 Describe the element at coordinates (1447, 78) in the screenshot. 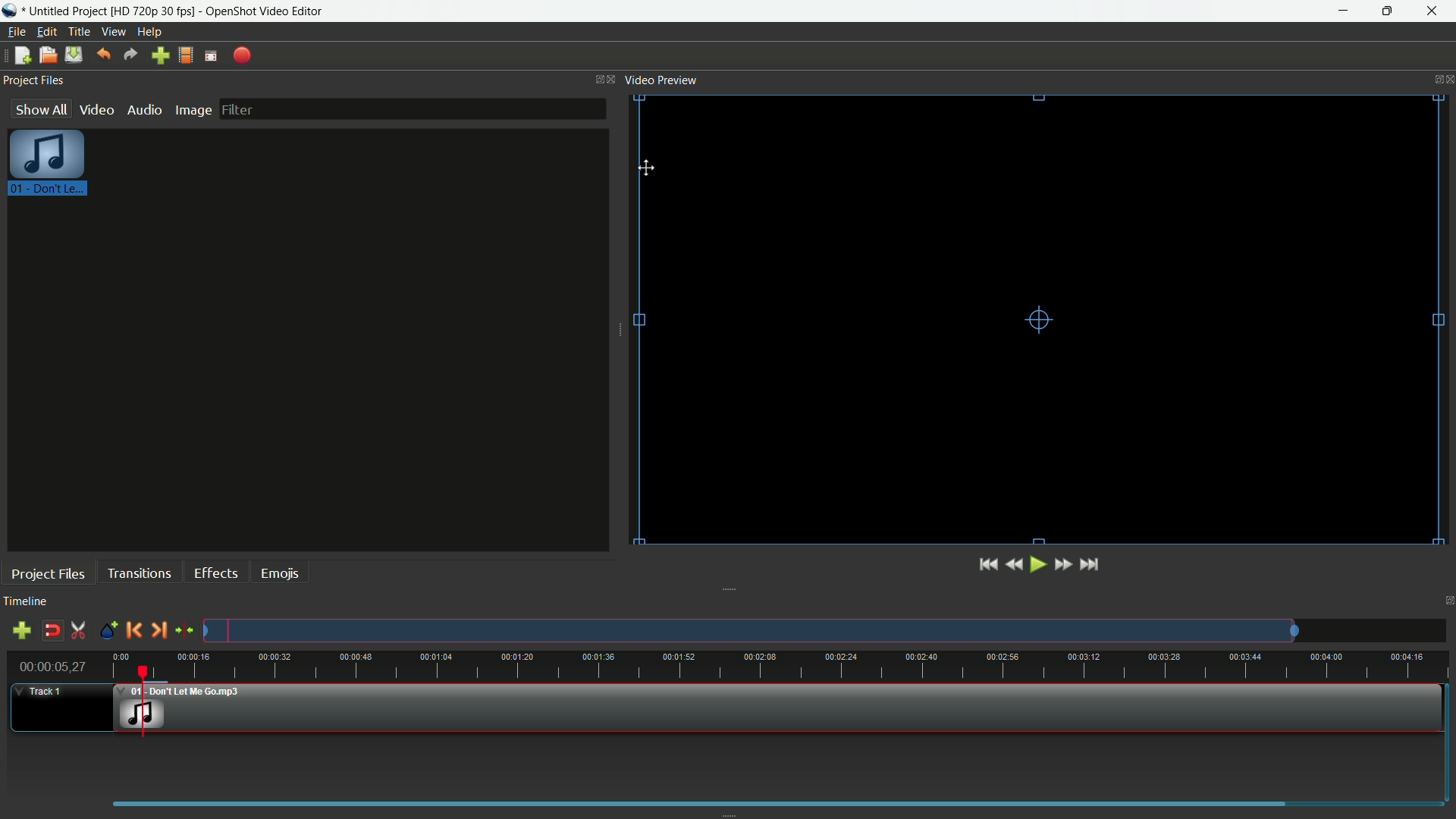

I see `close video preview` at that location.